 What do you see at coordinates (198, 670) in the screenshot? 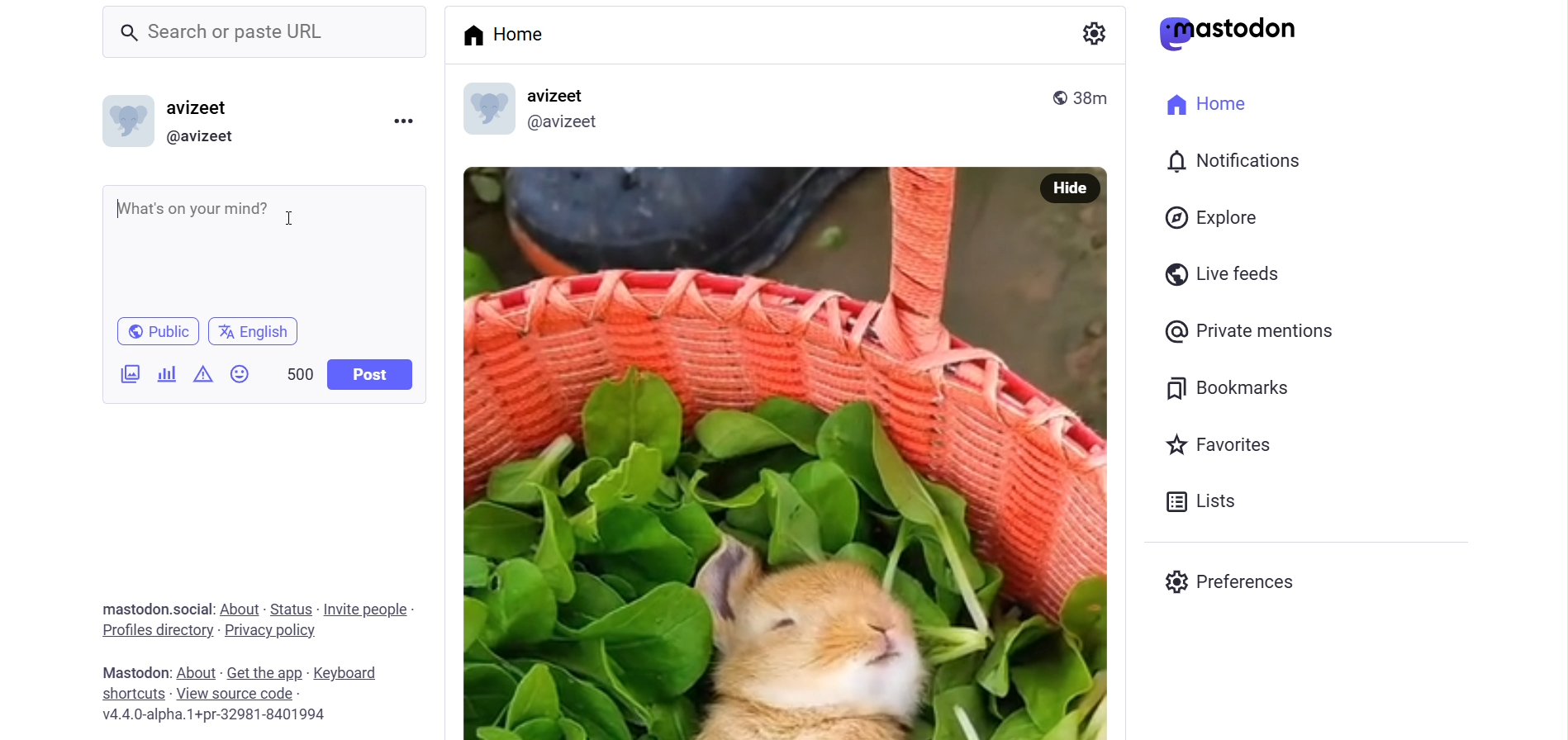
I see `About` at bounding box center [198, 670].